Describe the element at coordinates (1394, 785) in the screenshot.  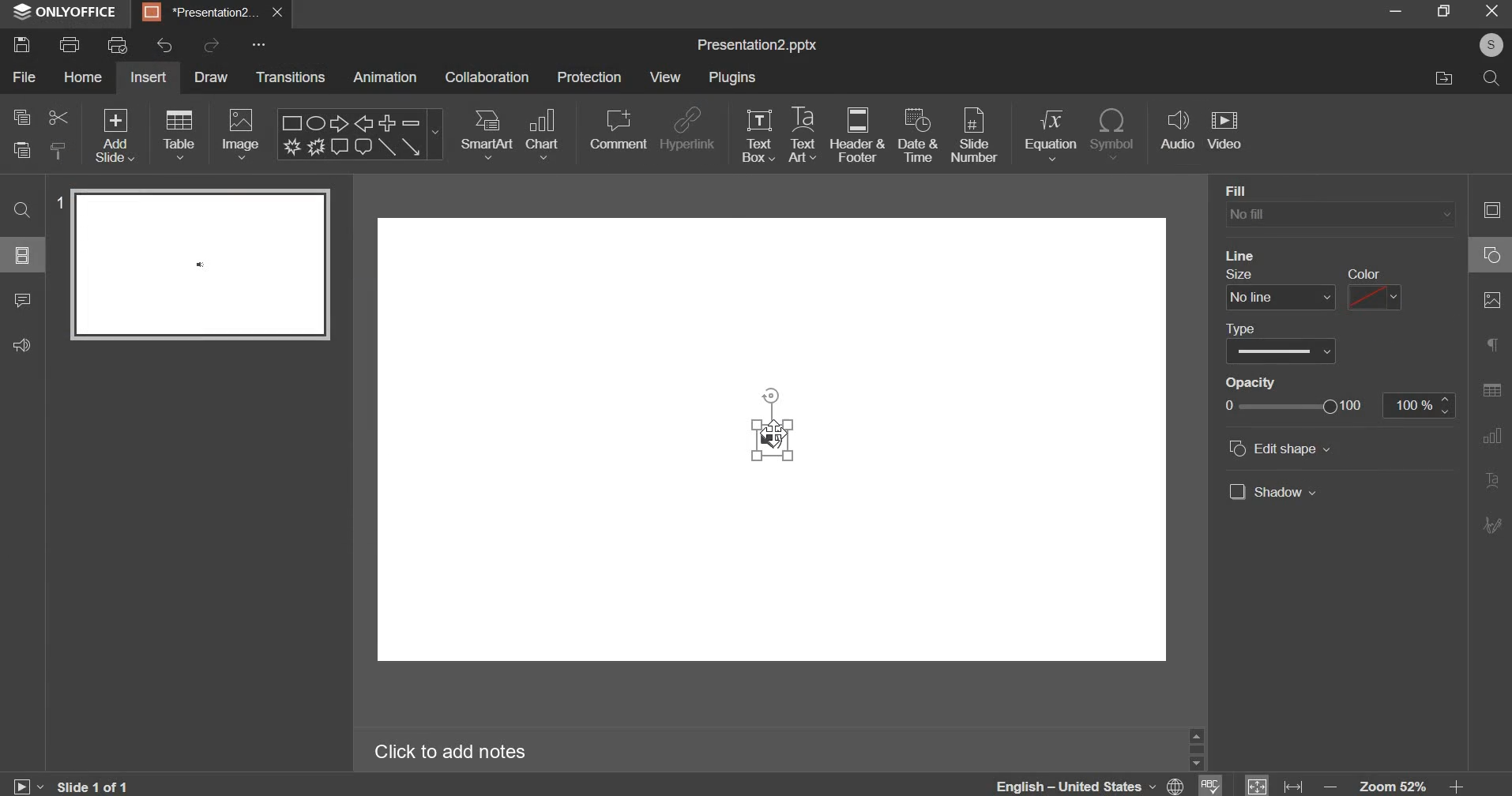
I see `zoom 52%` at that location.